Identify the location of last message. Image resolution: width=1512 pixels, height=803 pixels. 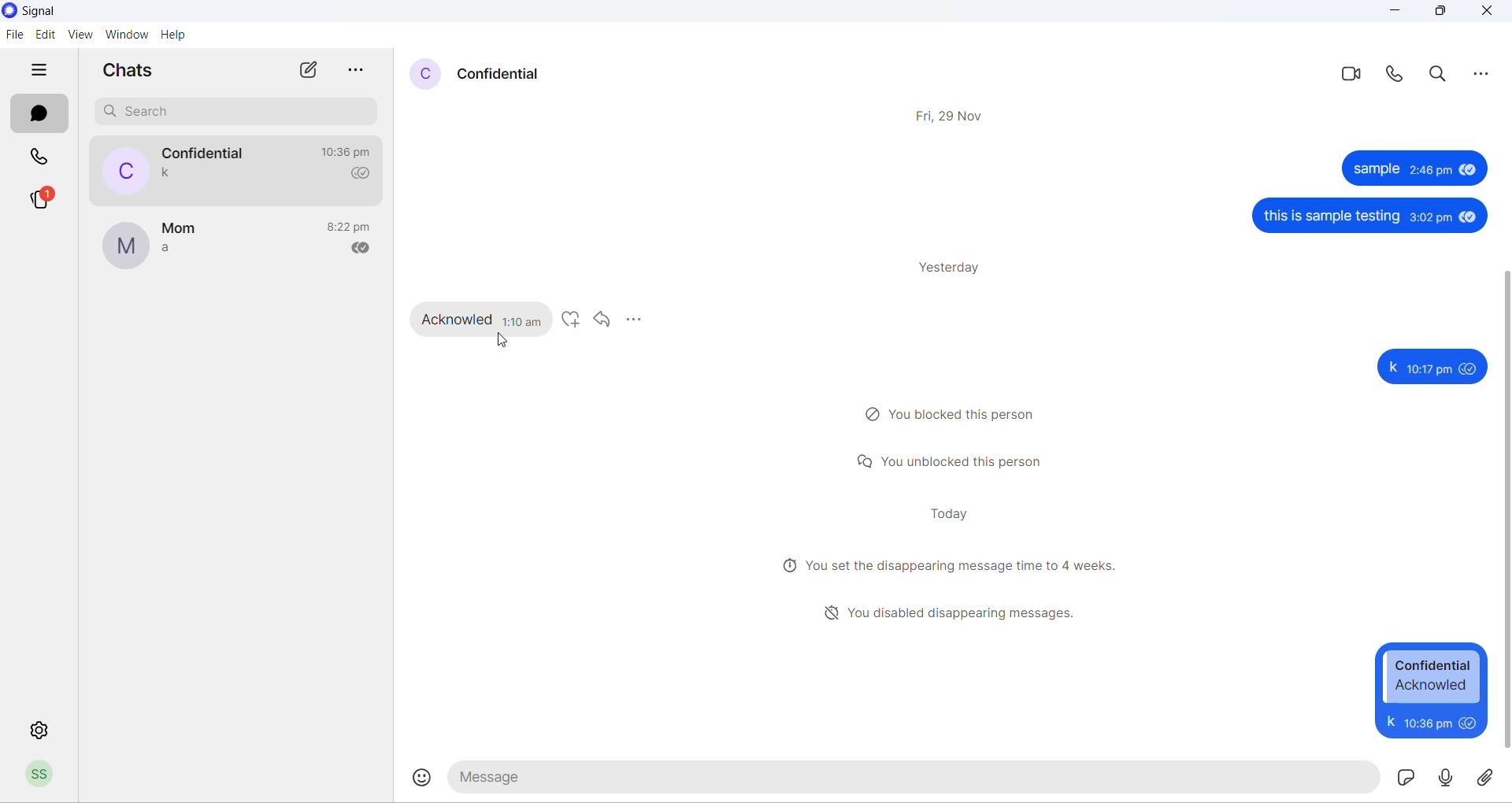
(171, 174).